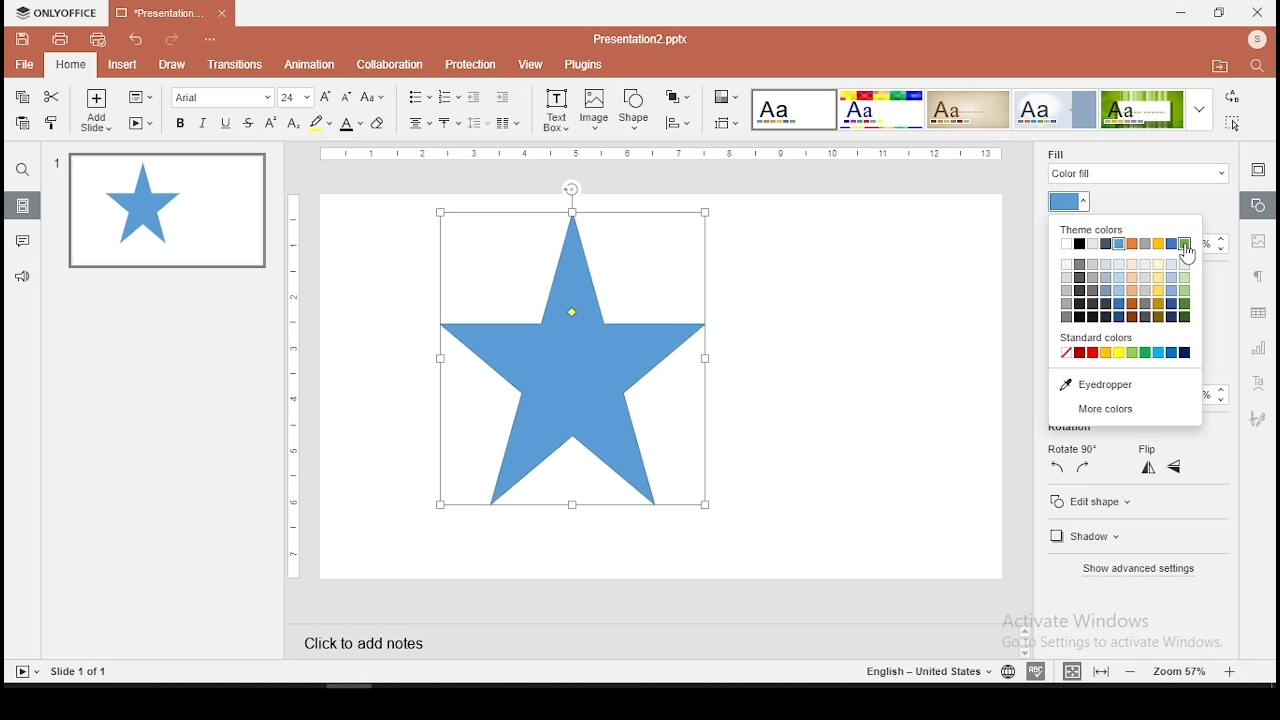  I want to click on mouse pointer, so click(1191, 257).